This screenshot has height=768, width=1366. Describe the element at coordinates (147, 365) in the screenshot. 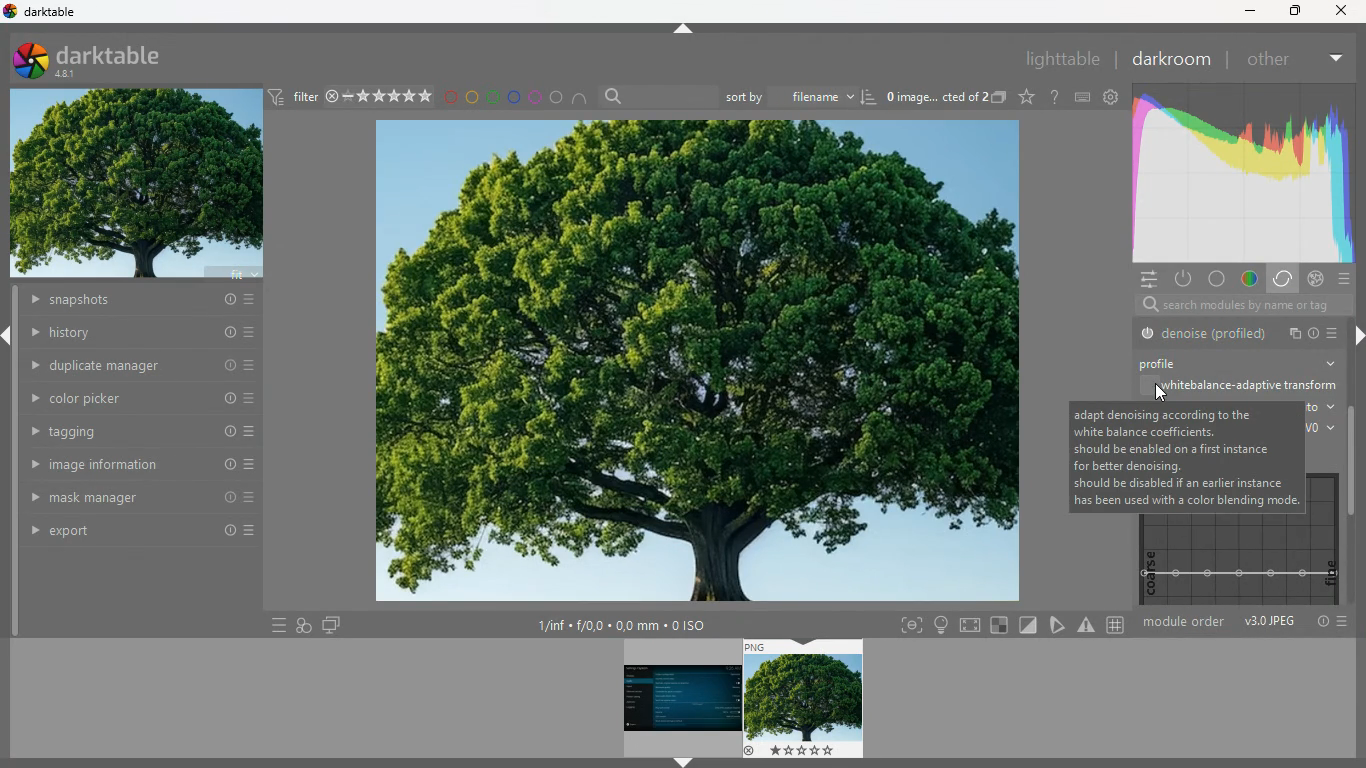

I see `duplicate manager` at that location.